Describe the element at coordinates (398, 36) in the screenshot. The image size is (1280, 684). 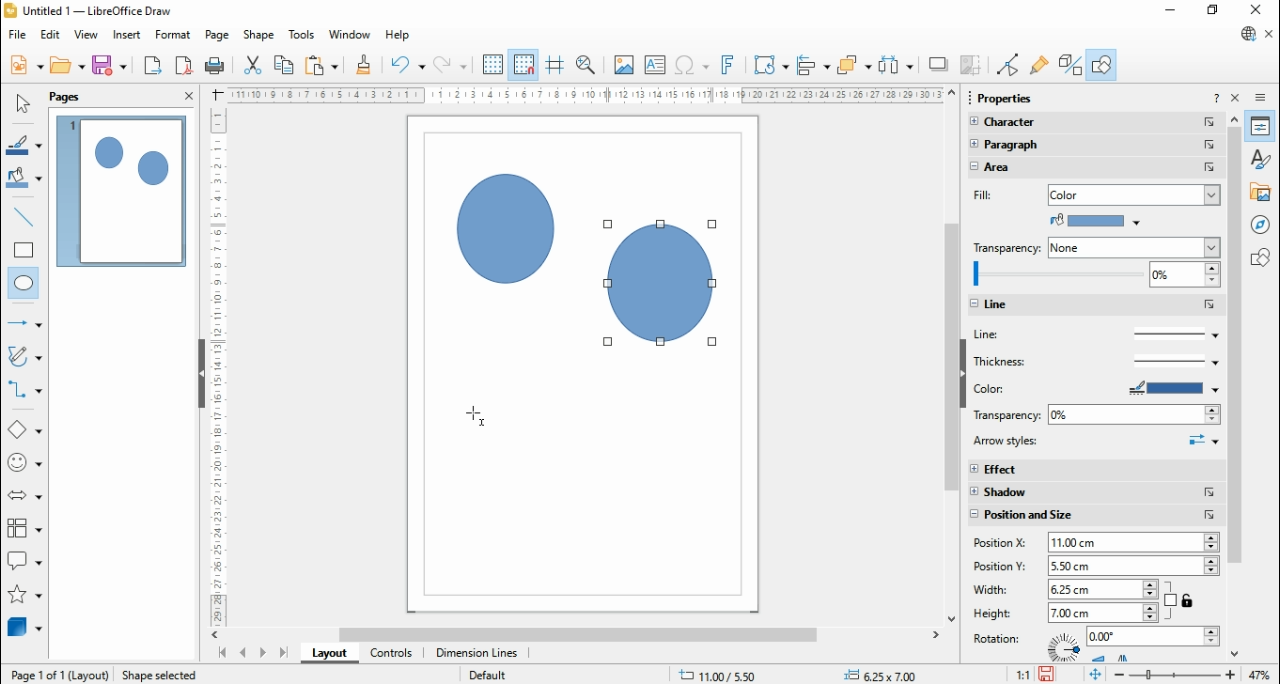
I see `help` at that location.